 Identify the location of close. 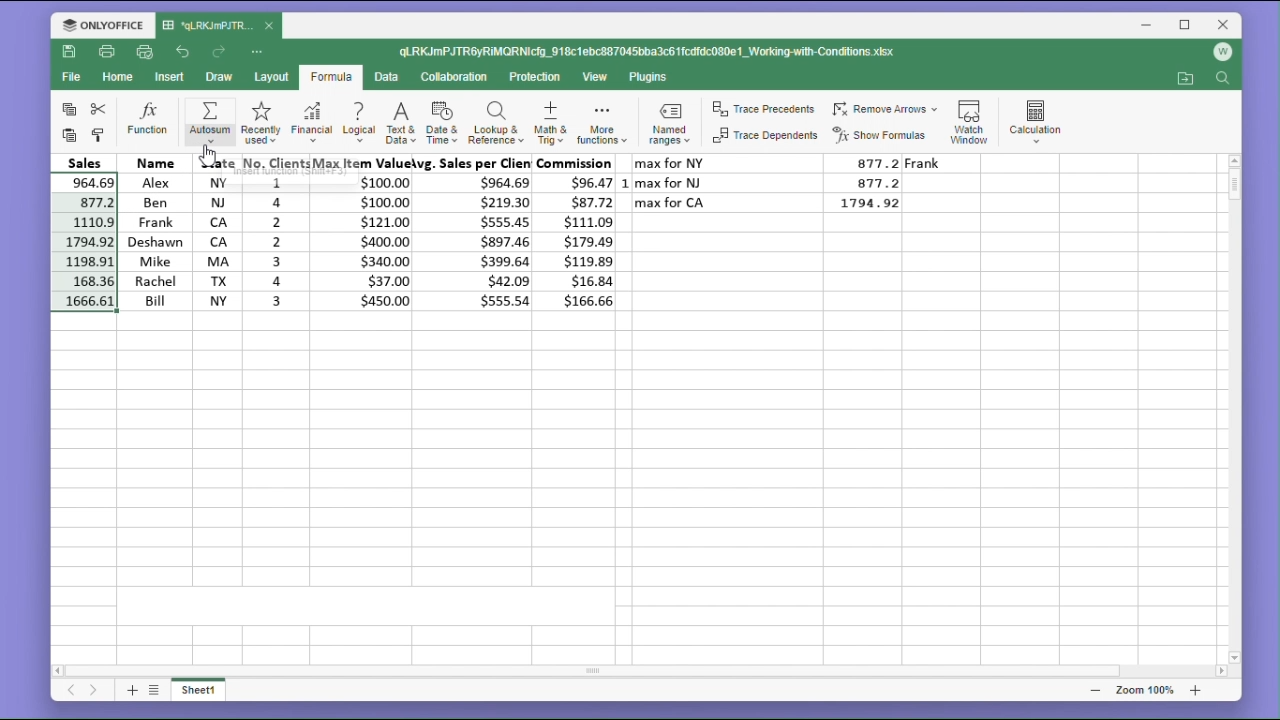
(1224, 24).